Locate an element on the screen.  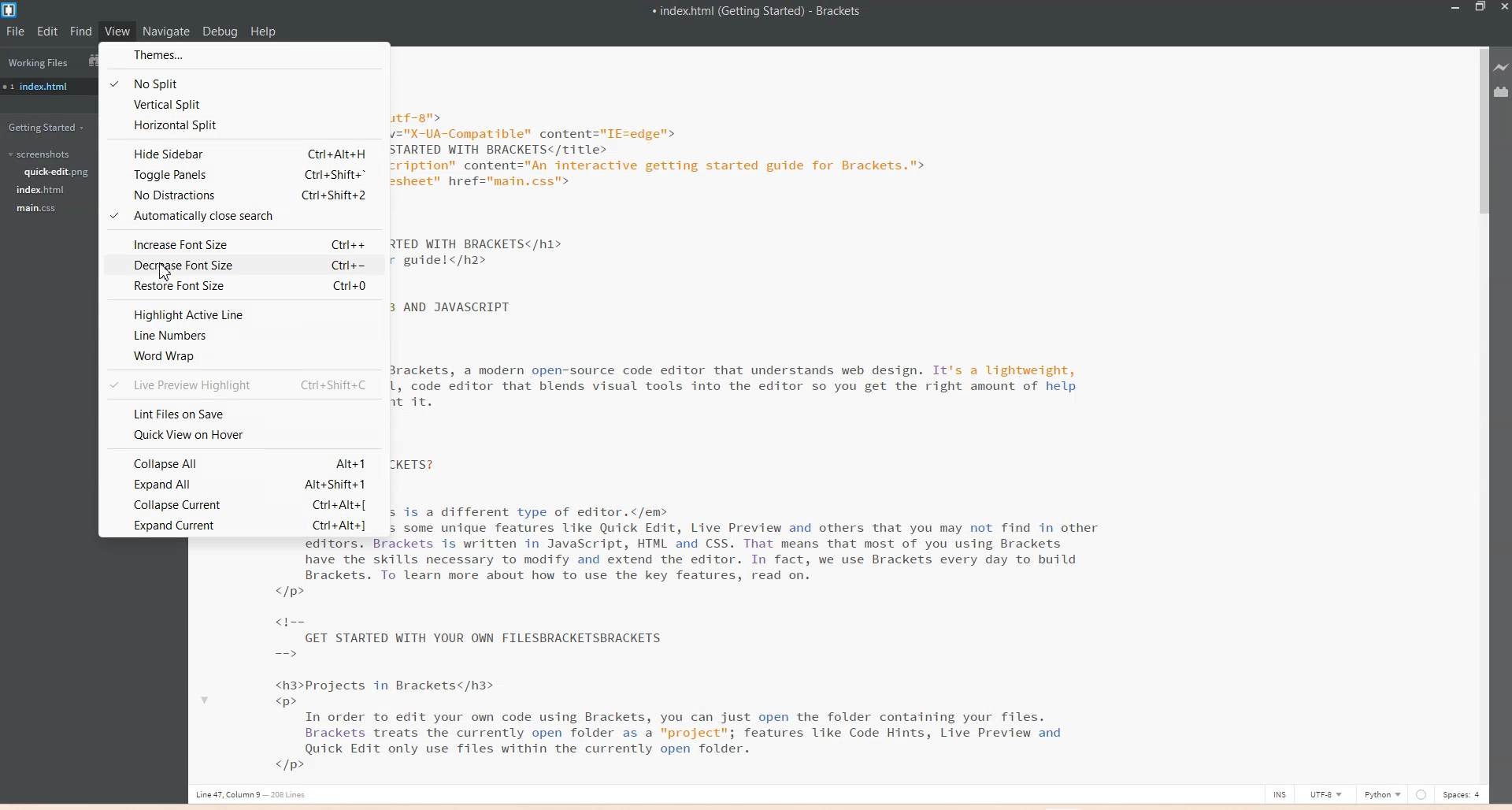
Python is located at coordinates (1383, 794).